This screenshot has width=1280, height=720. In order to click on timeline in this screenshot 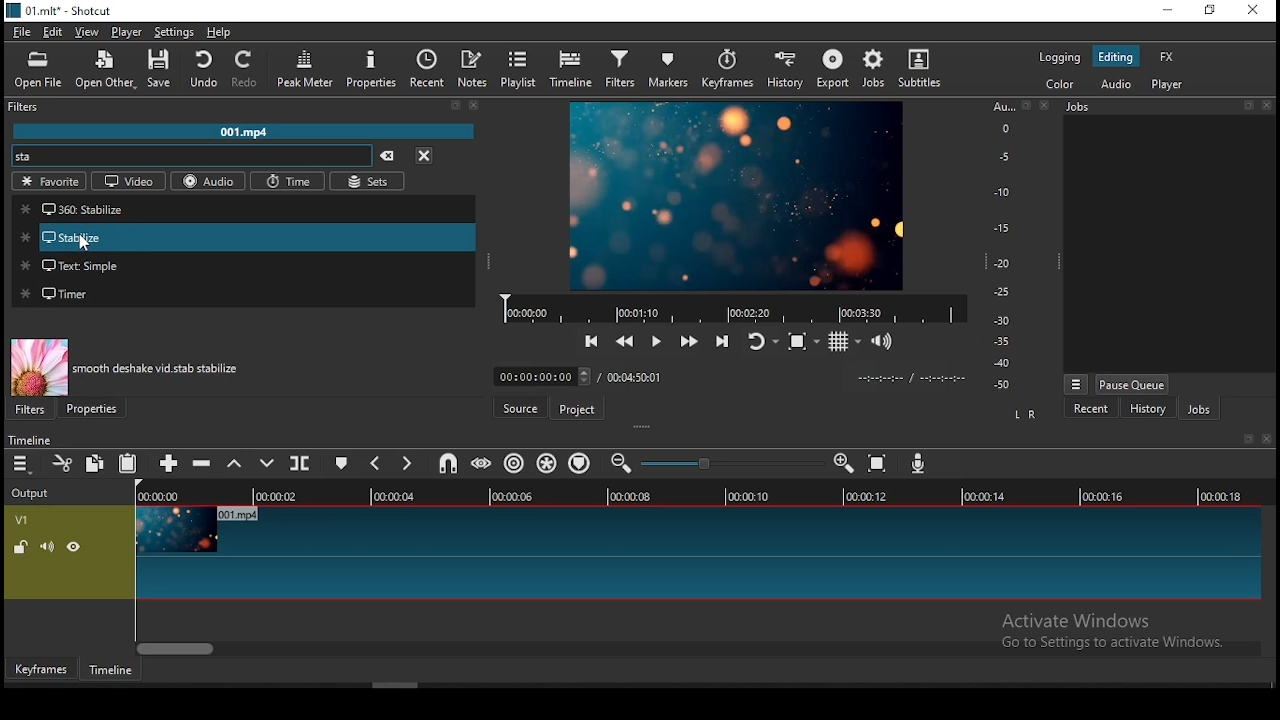, I will do `click(697, 495)`.